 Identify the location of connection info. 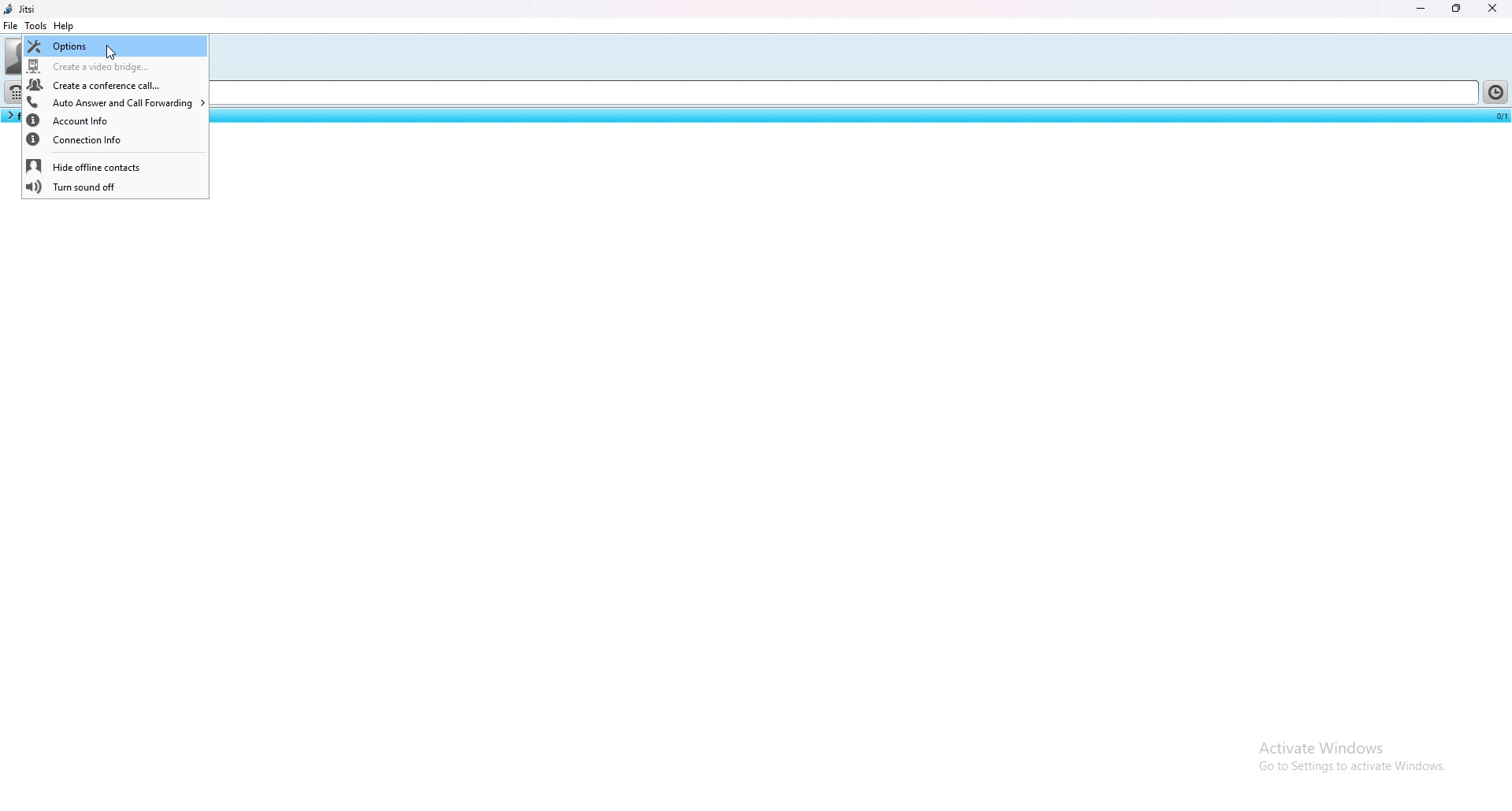
(115, 141).